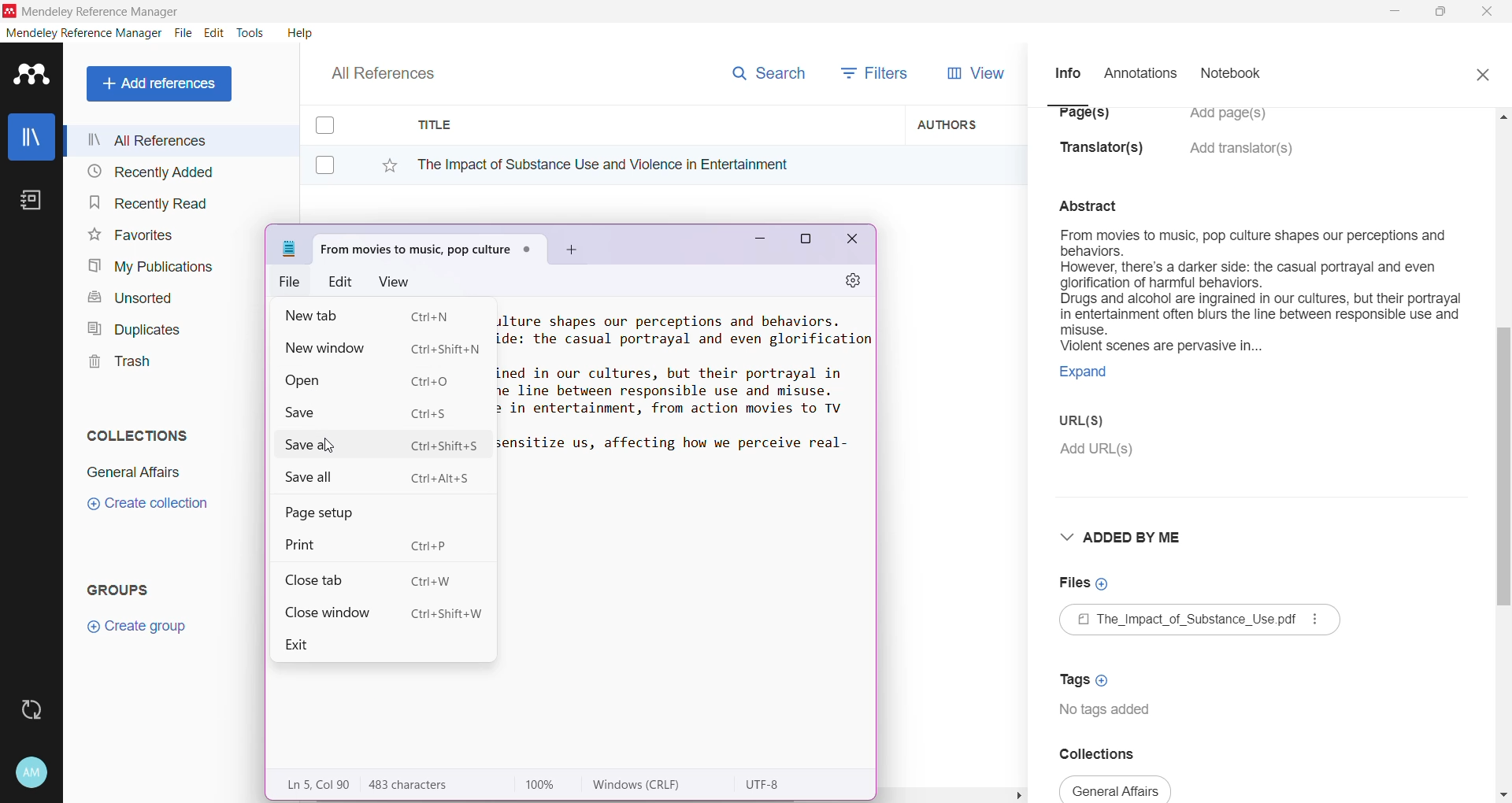 The width and height of the screenshot is (1512, 803). What do you see at coordinates (84, 33) in the screenshot?
I see `Mendeley Reference Manager` at bounding box center [84, 33].